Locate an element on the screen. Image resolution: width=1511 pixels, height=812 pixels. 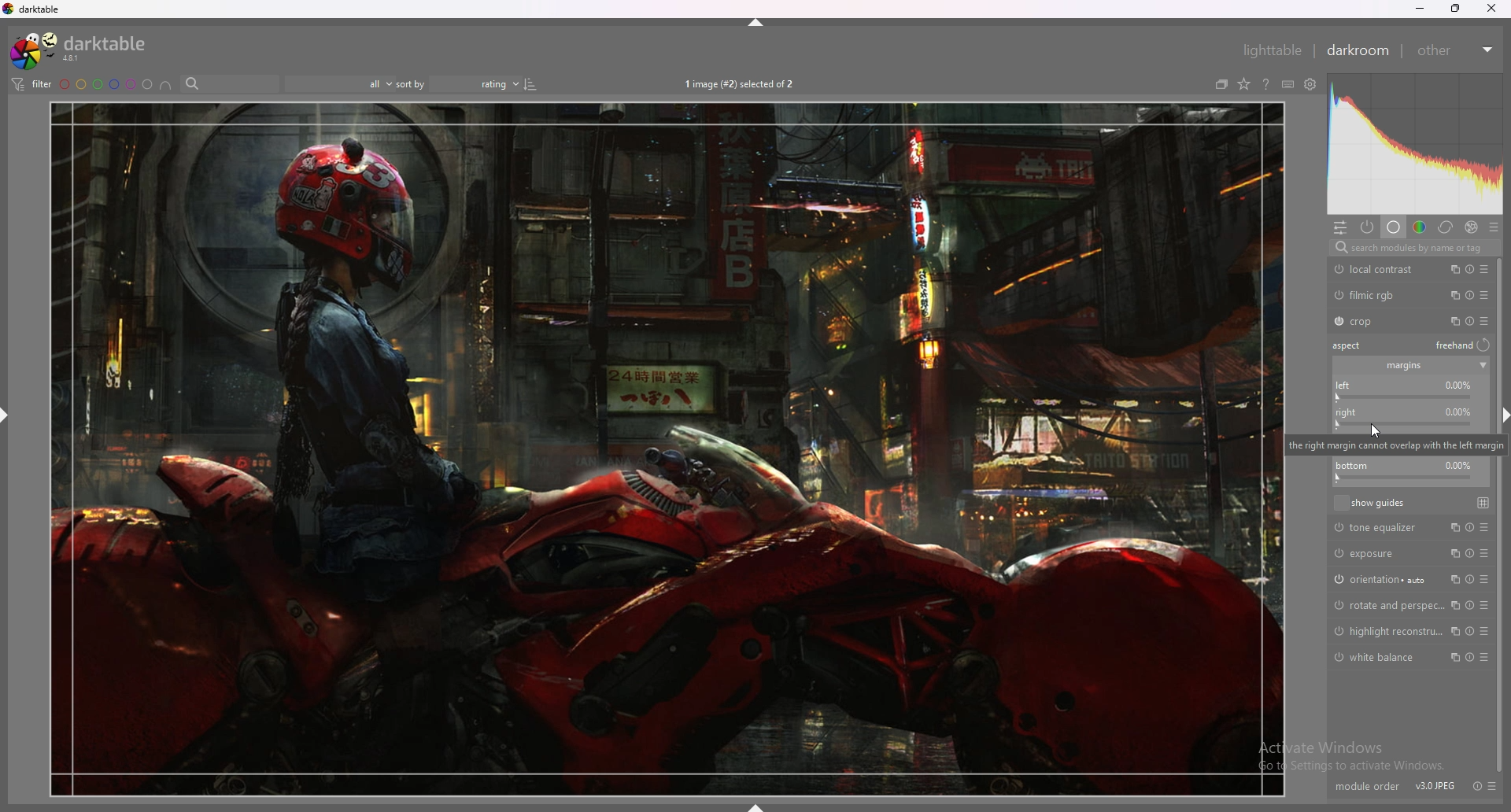
tone equalizer is located at coordinates (1380, 528).